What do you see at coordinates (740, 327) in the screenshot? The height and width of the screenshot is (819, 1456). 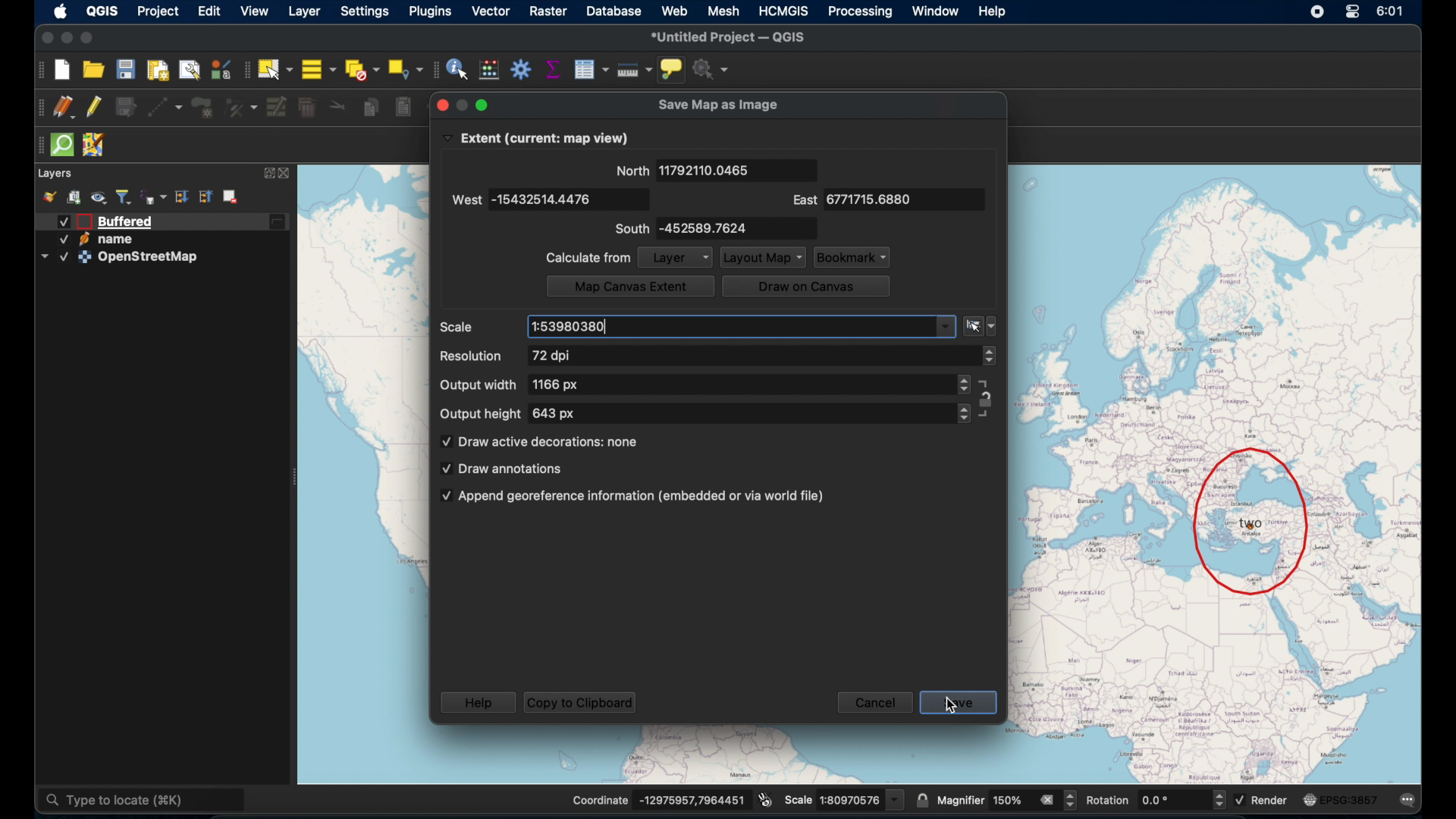 I see `1:53980380` at bounding box center [740, 327].